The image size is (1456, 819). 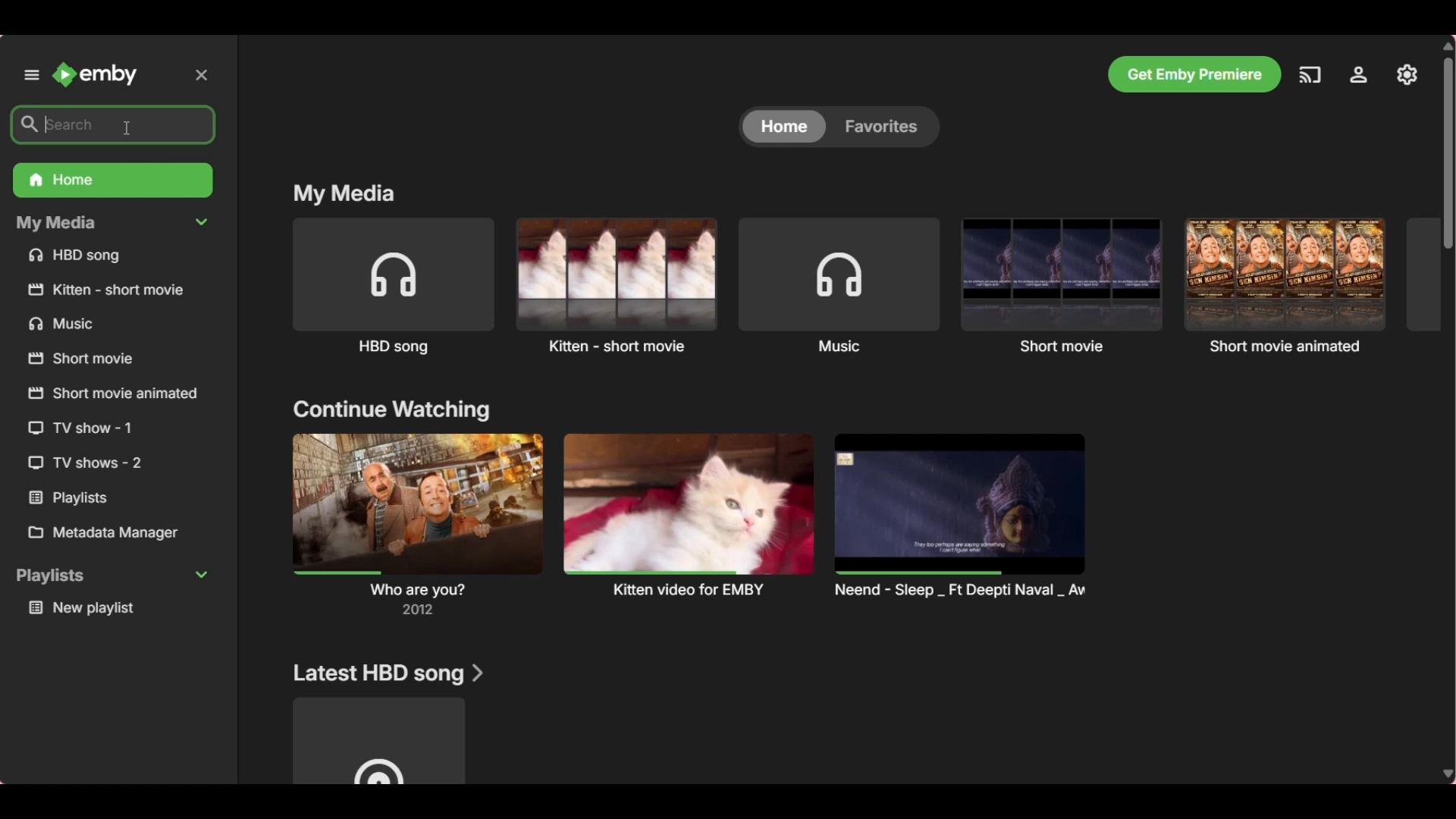 I want to click on Search box highlighted after selection, so click(x=112, y=124).